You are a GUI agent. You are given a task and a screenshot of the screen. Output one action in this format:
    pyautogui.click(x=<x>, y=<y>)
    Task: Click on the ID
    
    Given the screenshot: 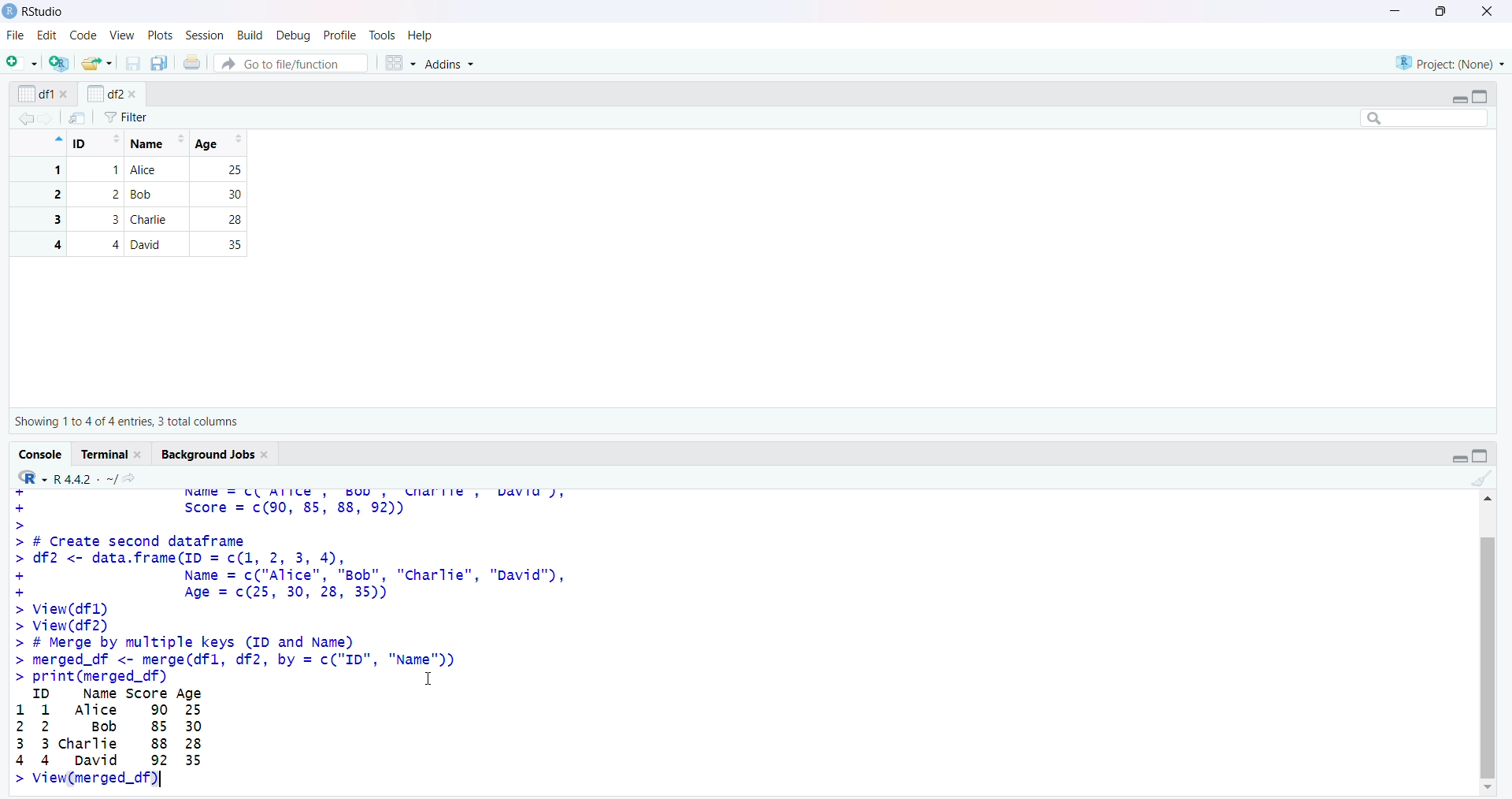 What is the action you would take?
    pyautogui.click(x=97, y=143)
    